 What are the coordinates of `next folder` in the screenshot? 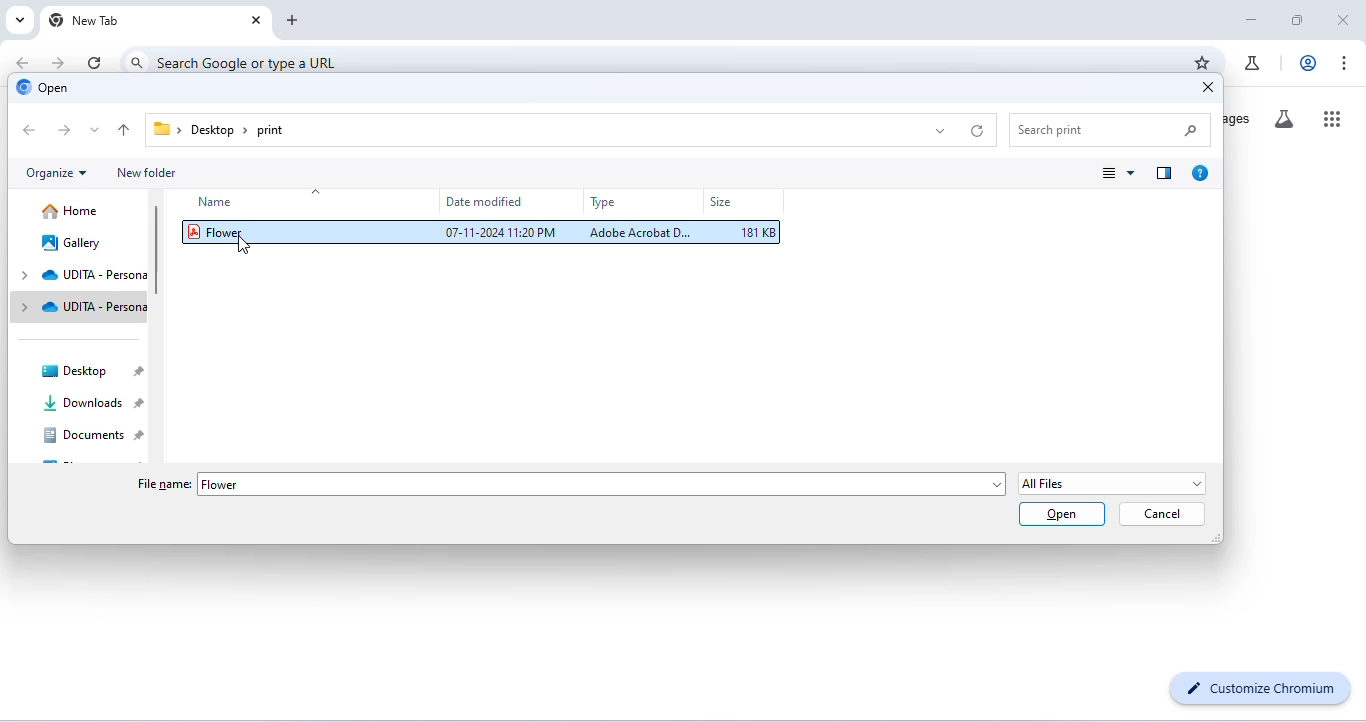 It's located at (66, 130).